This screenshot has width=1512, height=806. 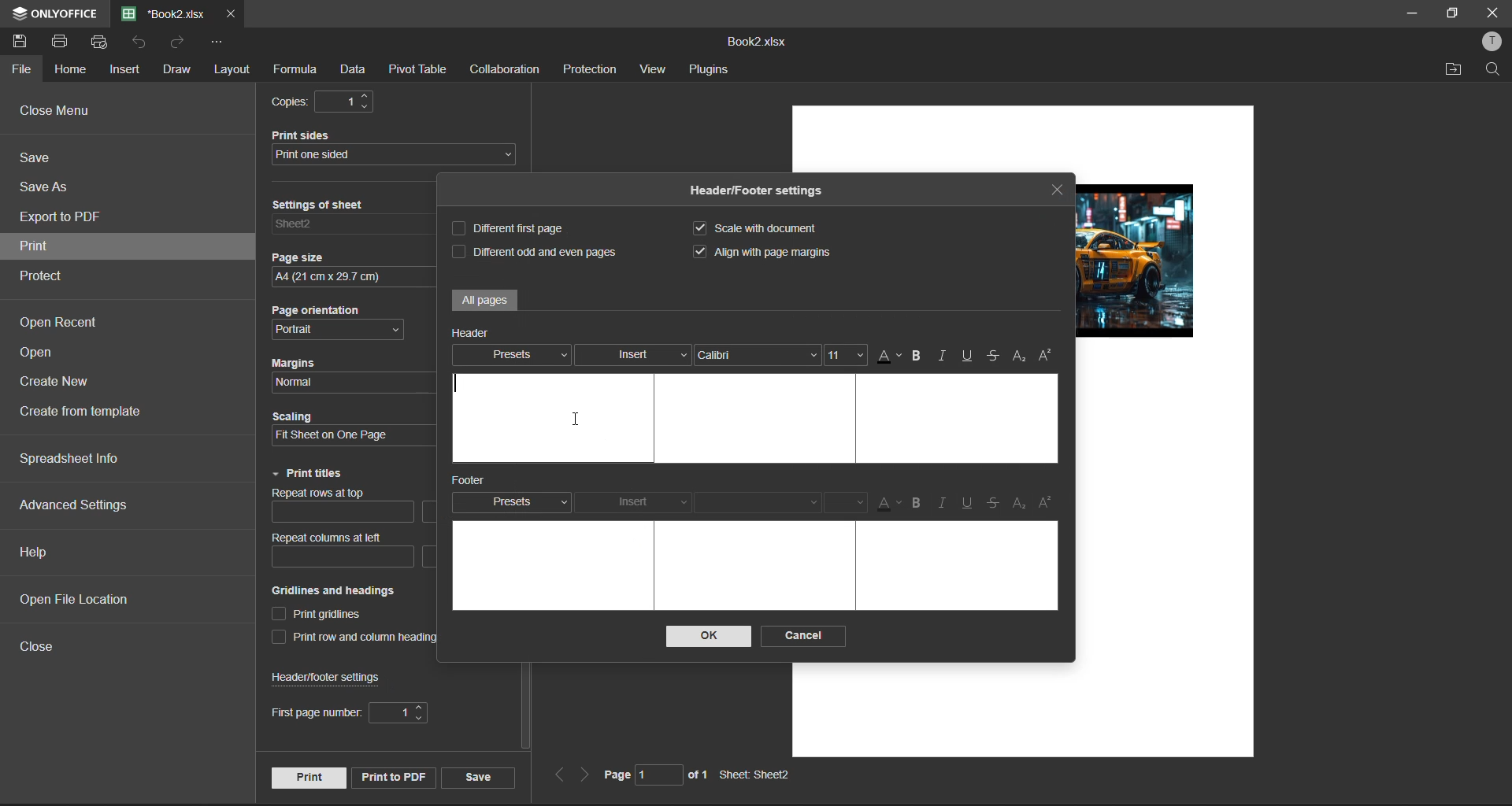 I want to click on open file location, so click(x=76, y=599).